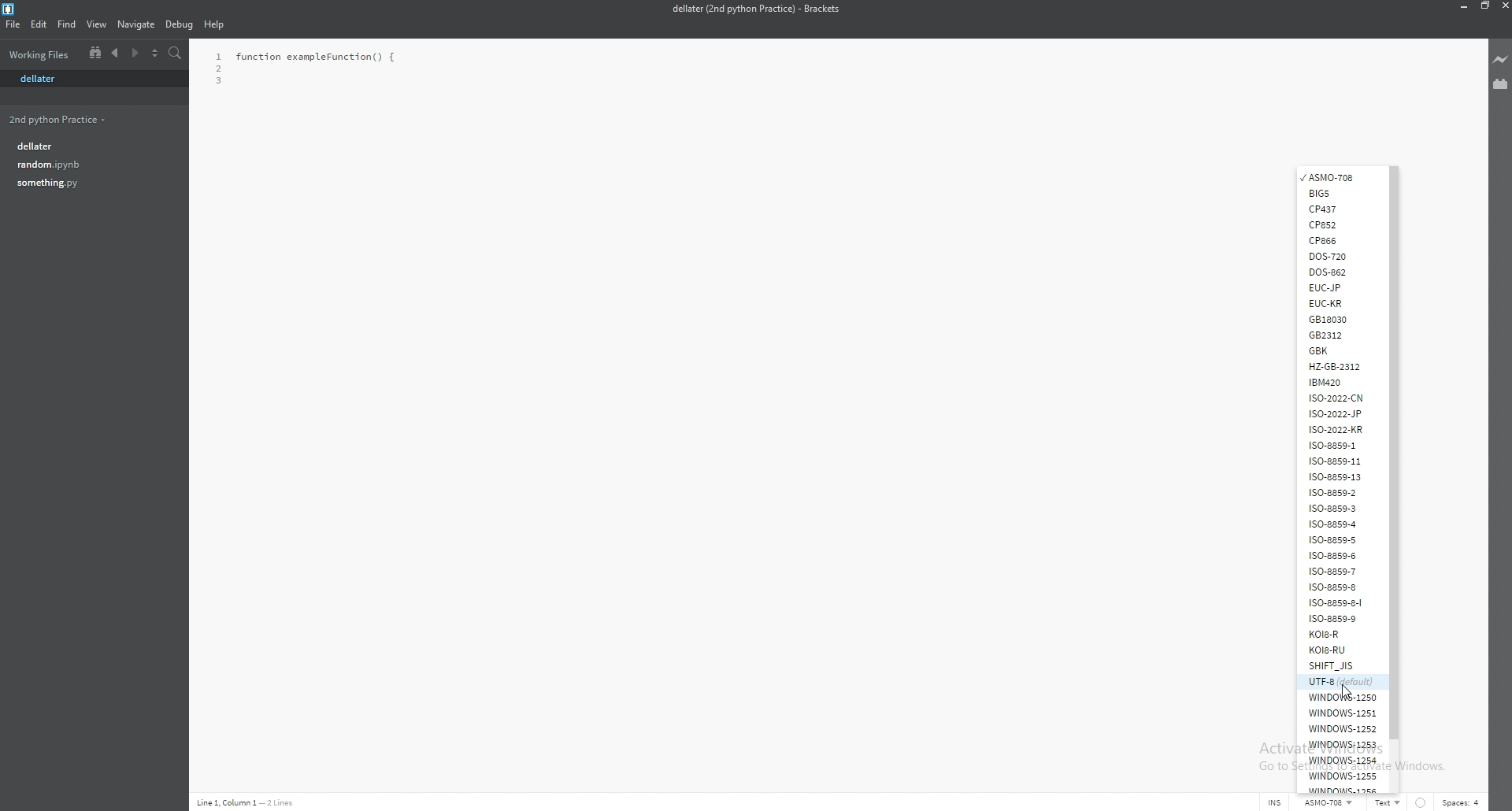 This screenshot has width=1512, height=811. Describe the element at coordinates (1342, 366) in the screenshot. I see `hz-gb-2312` at that location.